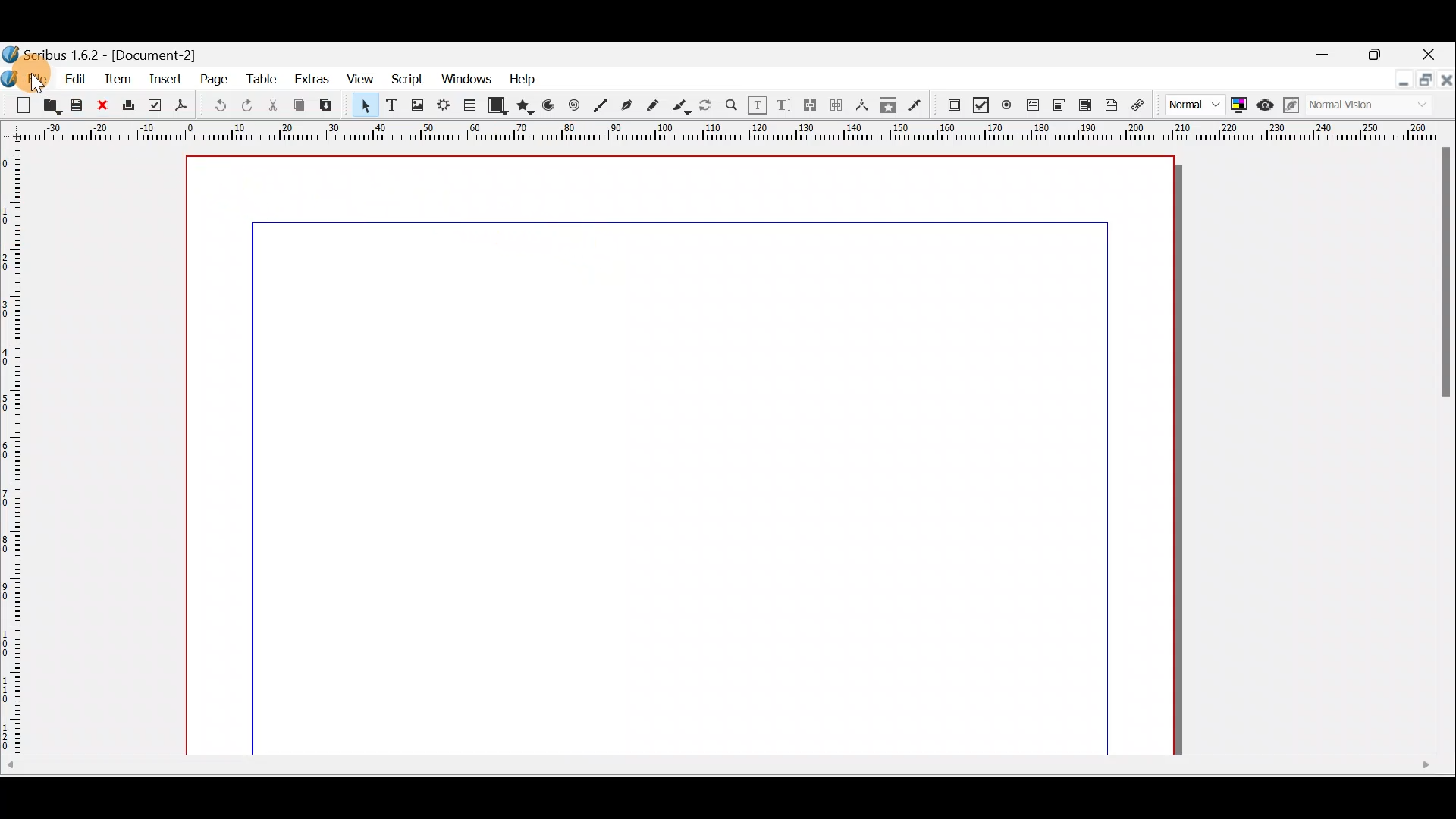  I want to click on Maximise, so click(1426, 81).